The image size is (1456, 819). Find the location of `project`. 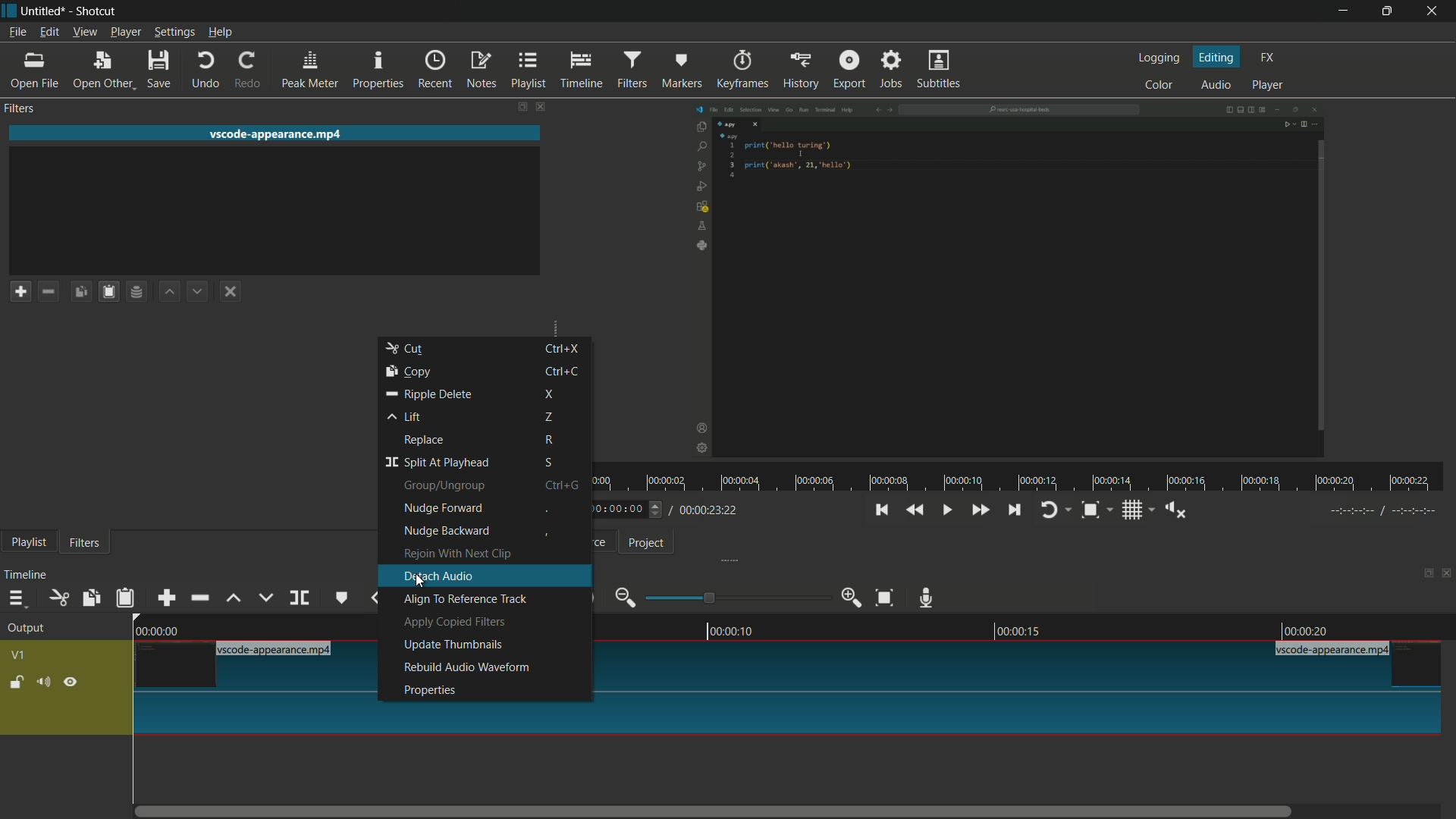

project is located at coordinates (645, 543).